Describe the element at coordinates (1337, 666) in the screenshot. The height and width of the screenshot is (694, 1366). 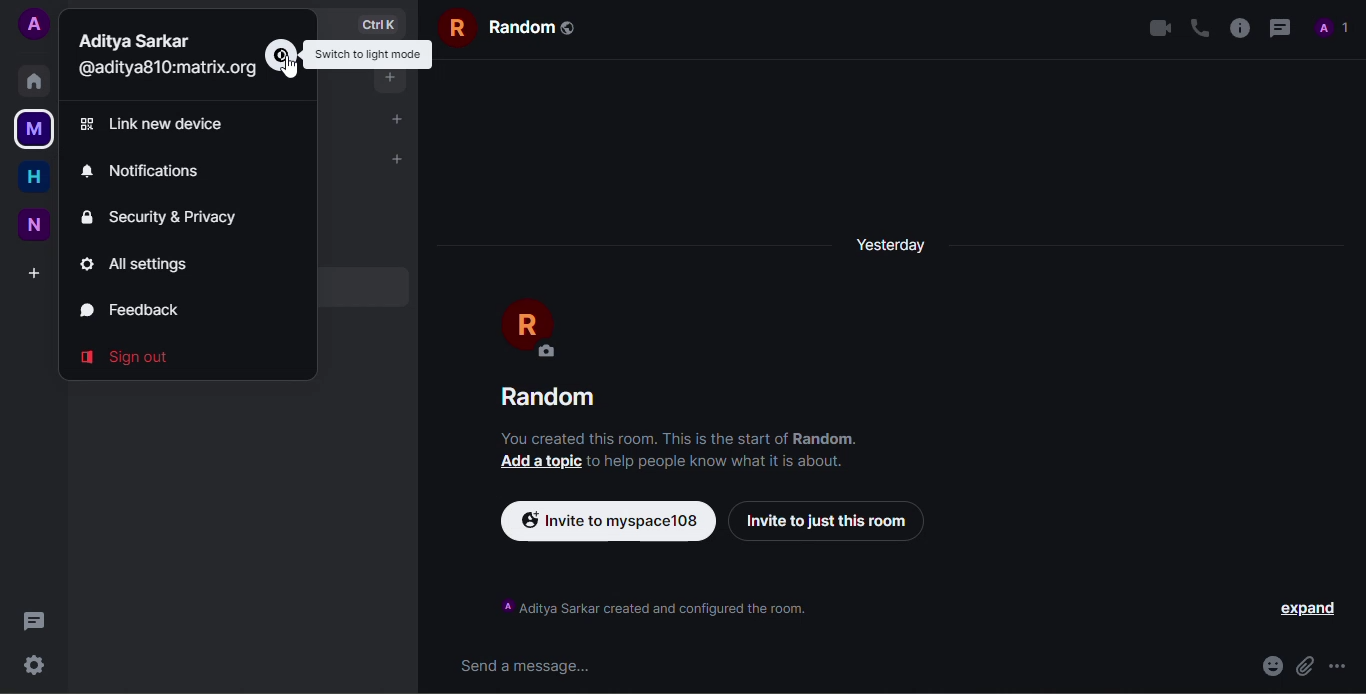
I see `more` at that location.